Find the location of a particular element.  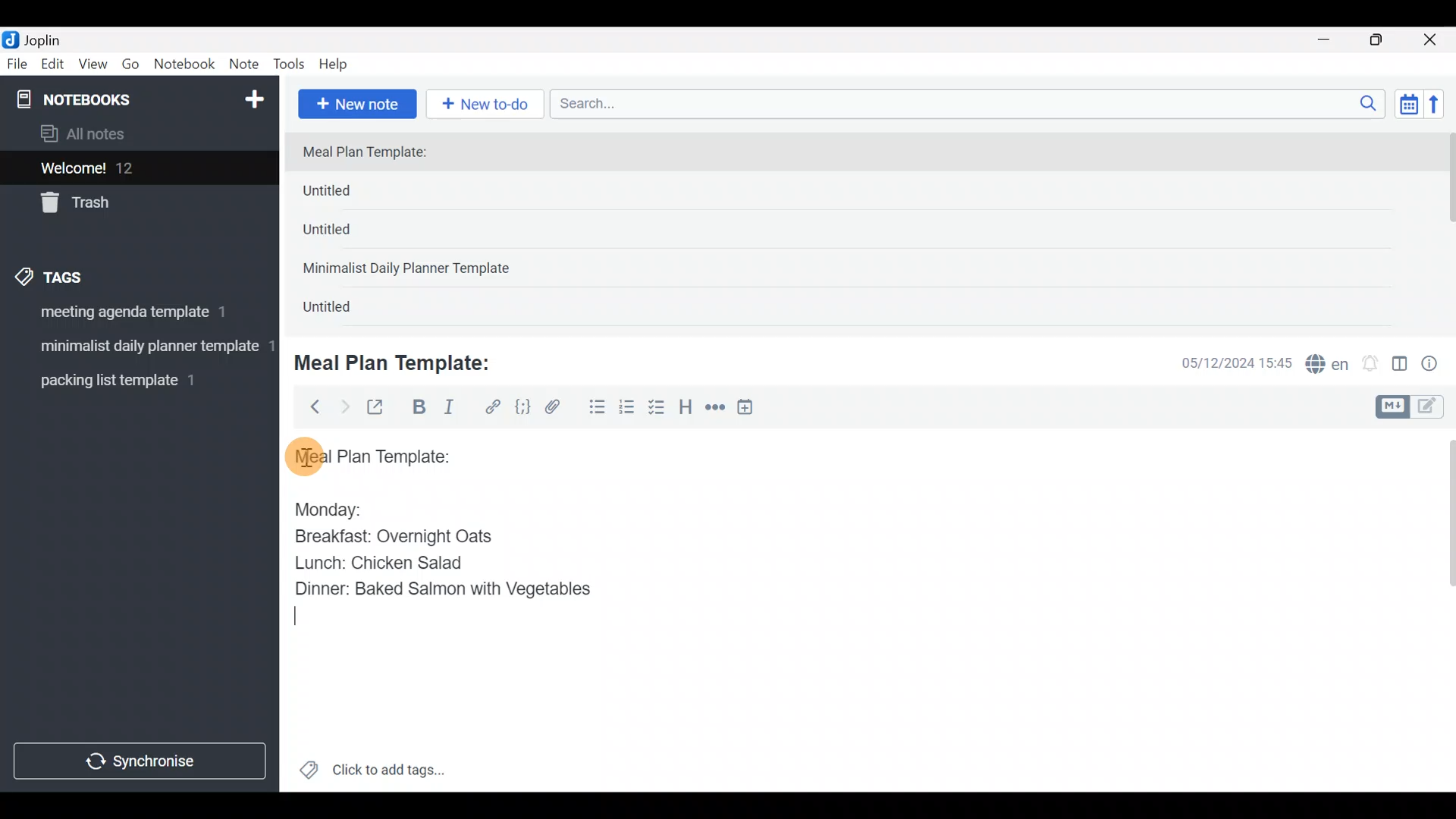

New is located at coordinates (253, 96).